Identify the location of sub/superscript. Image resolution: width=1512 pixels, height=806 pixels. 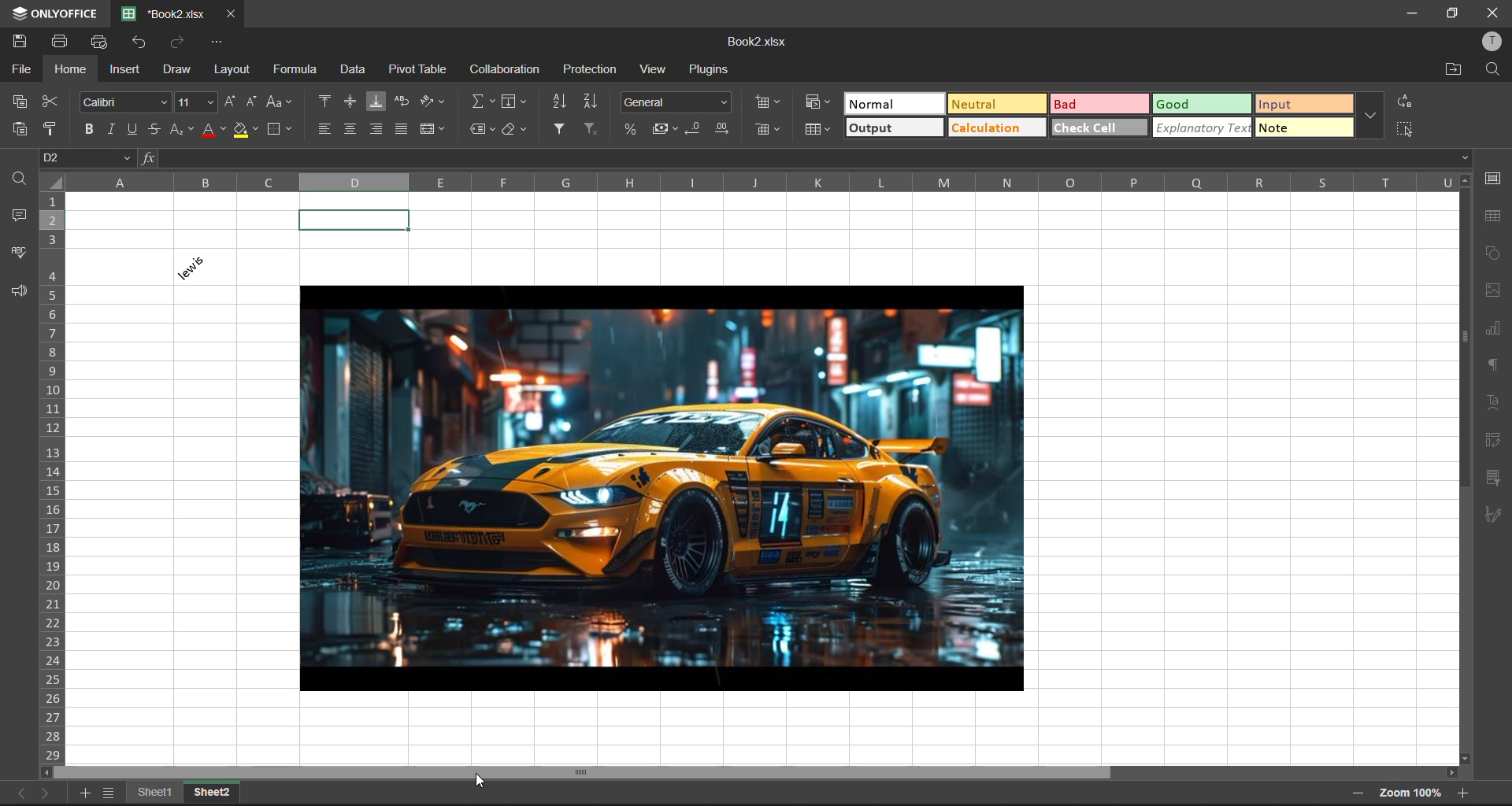
(183, 131).